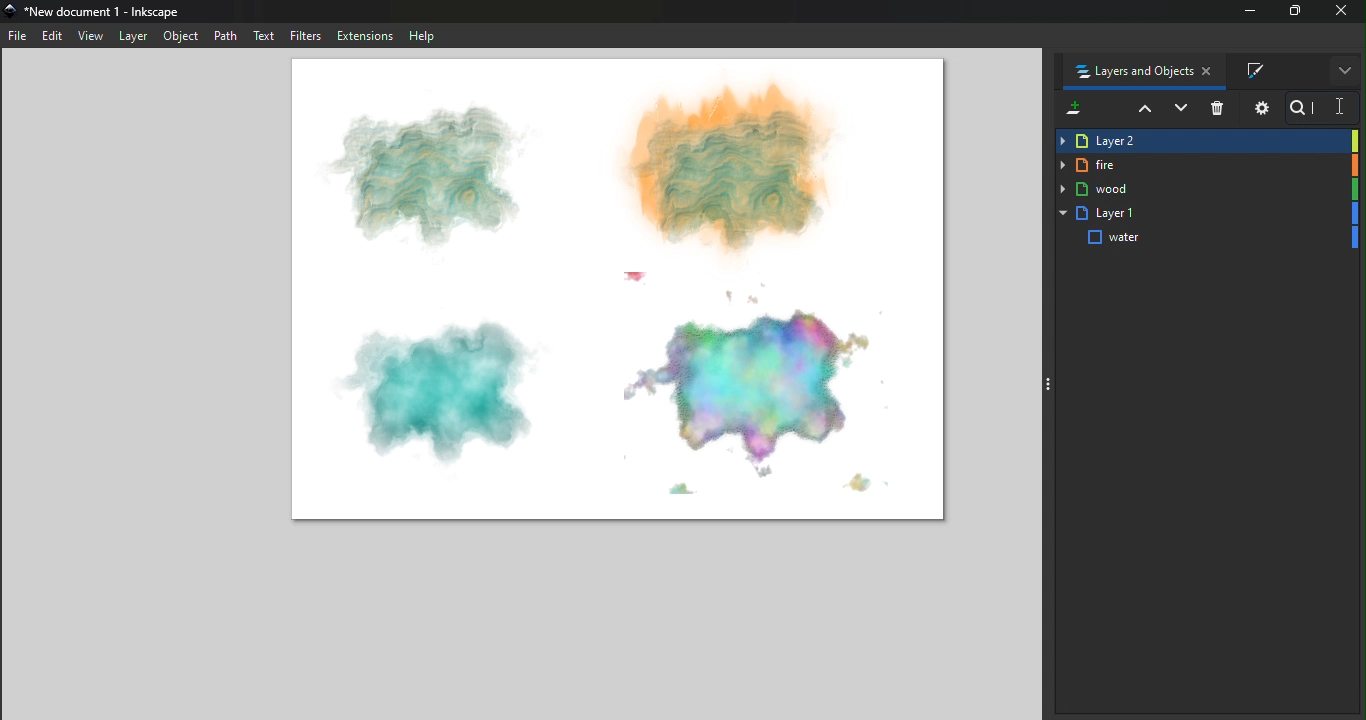  I want to click on app icon, so click(11, 11).